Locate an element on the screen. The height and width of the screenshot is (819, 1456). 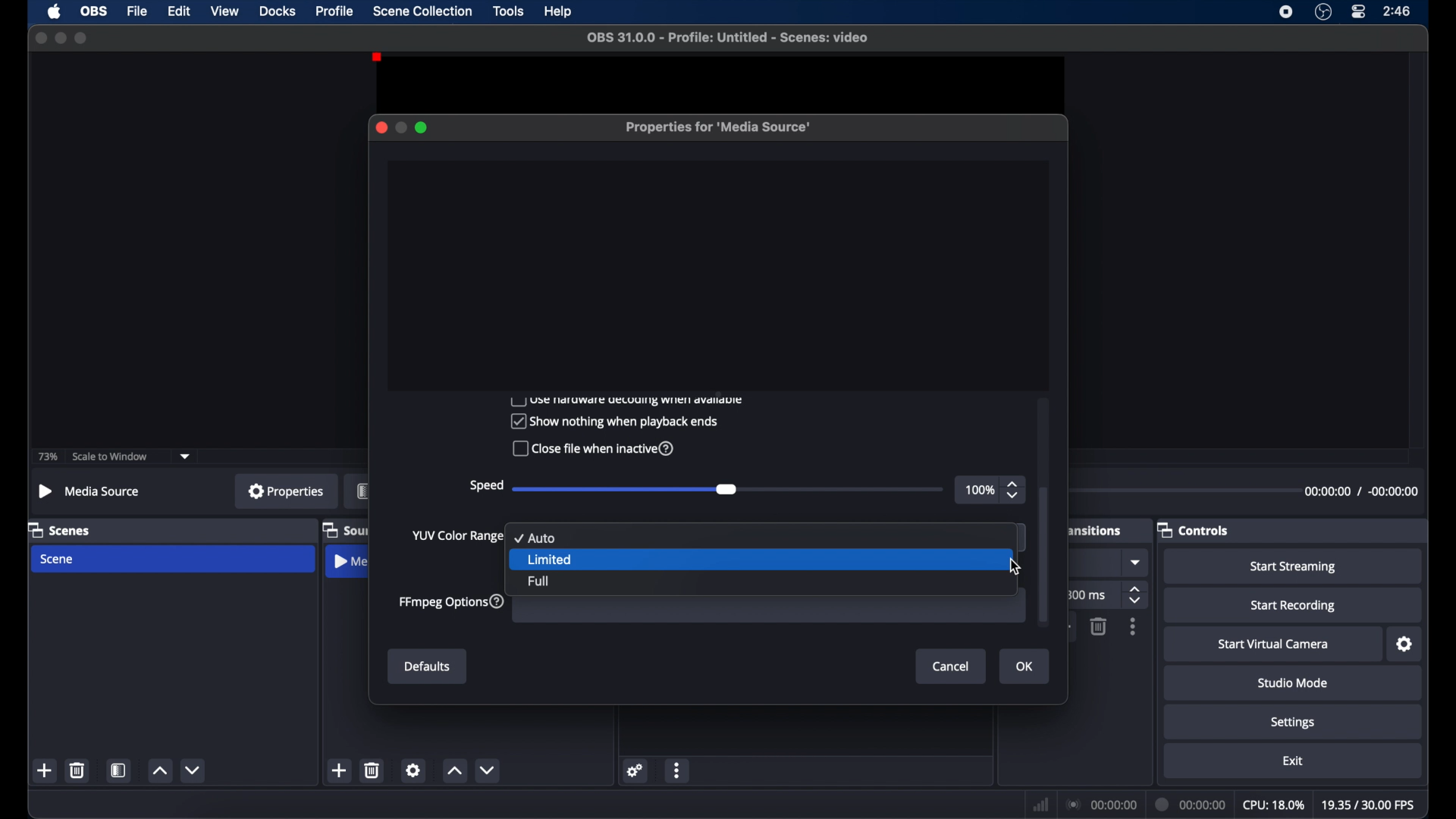
scenes is located at coordinates (60, 529).